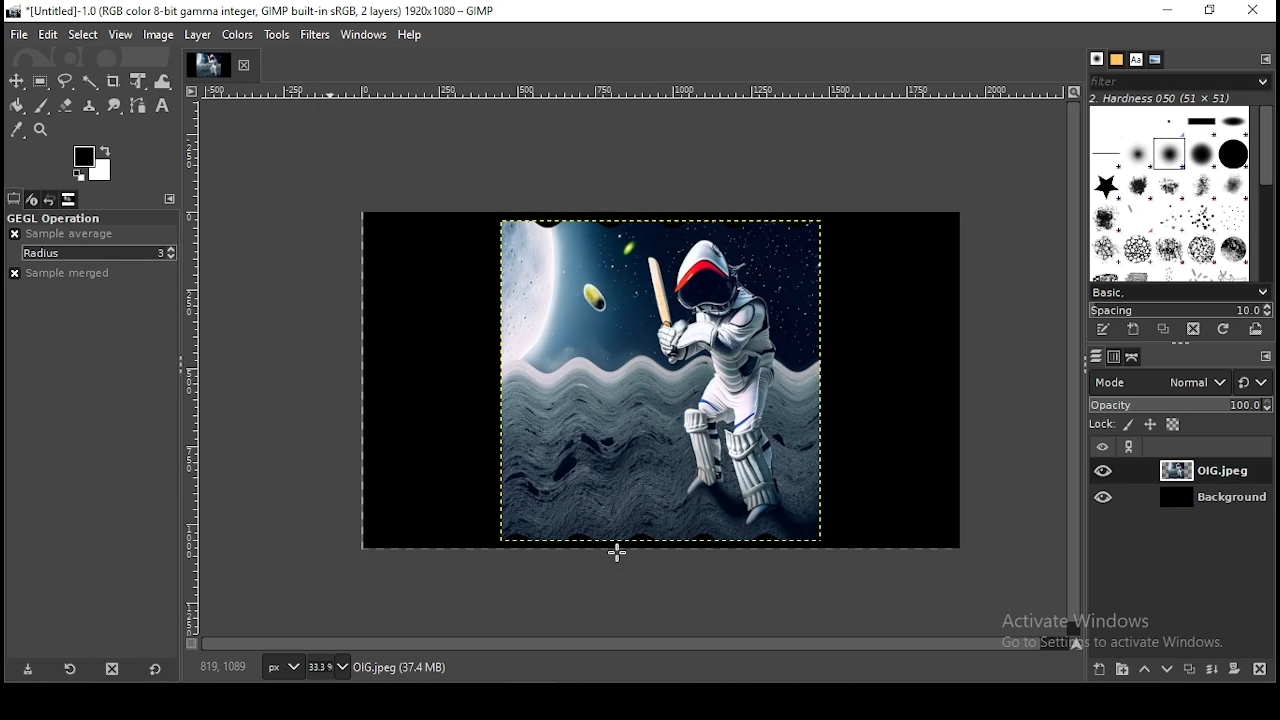  What do you see at coordinates (239, 35) in the screenshot?
I see `colors` at bounding box center [239, 35].